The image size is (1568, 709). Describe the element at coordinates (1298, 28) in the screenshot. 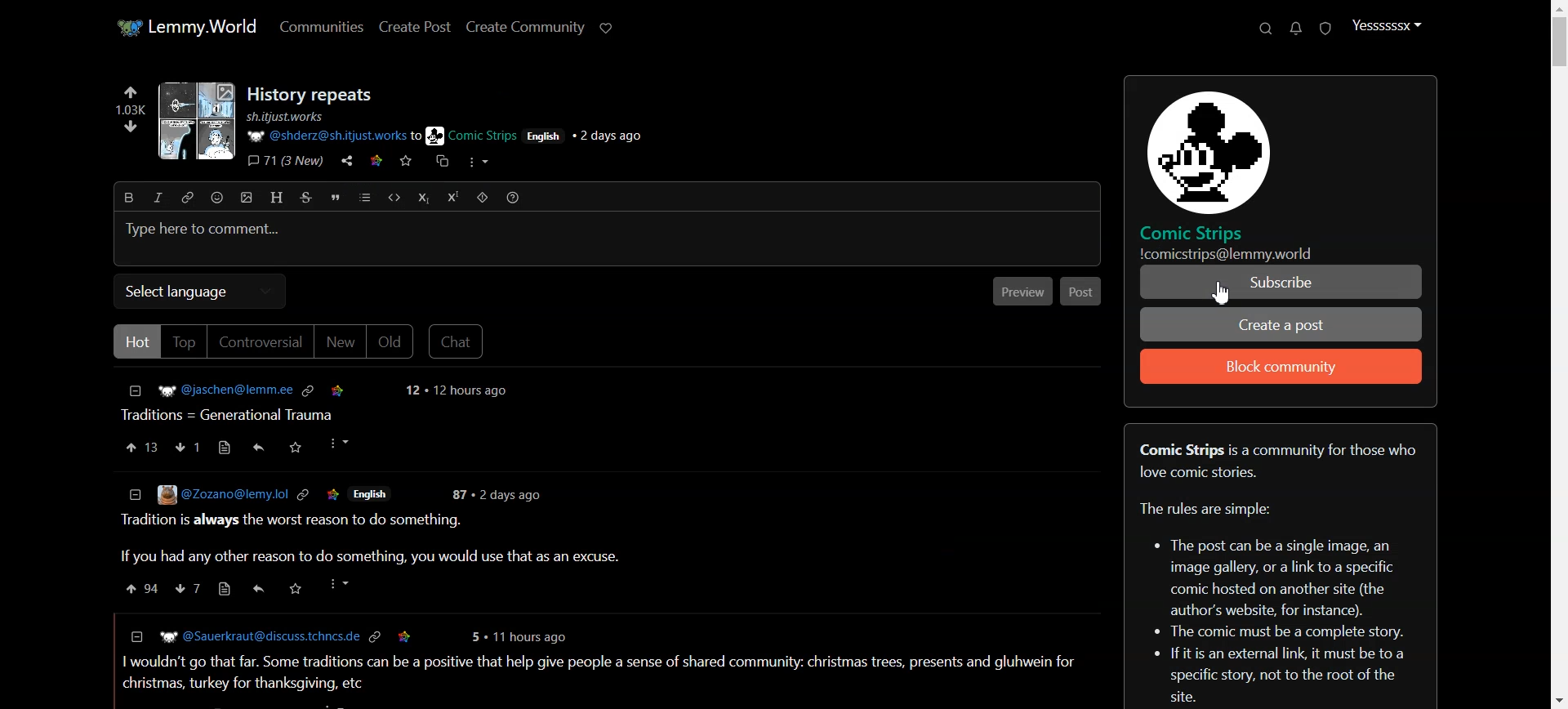

I see `Notifications` at that location.